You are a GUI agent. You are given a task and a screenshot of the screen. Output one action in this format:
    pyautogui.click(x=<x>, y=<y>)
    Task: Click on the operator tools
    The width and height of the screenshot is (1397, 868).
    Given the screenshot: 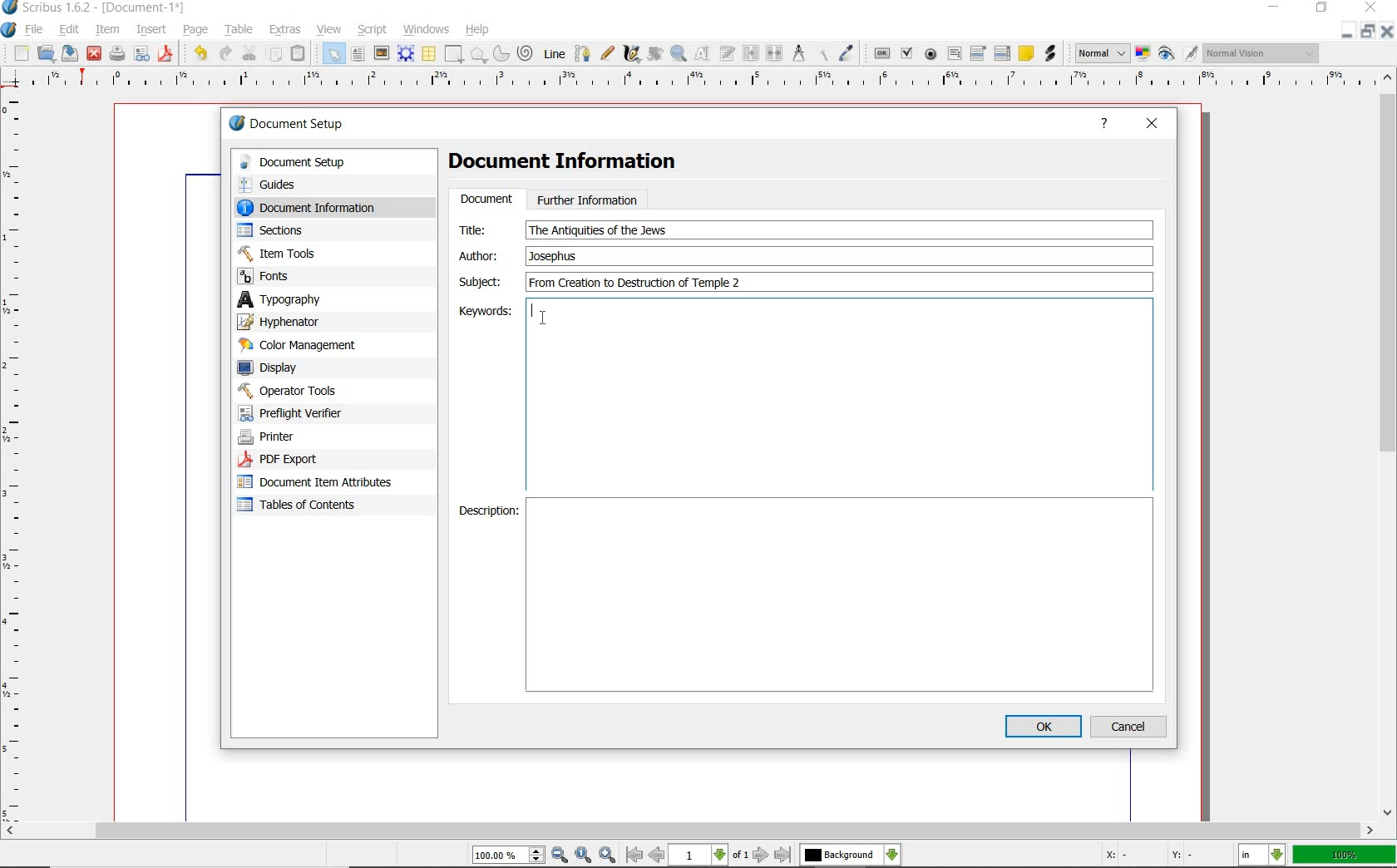 What is the action you would take?
    pyautogui.click(x=310, y=391)
    